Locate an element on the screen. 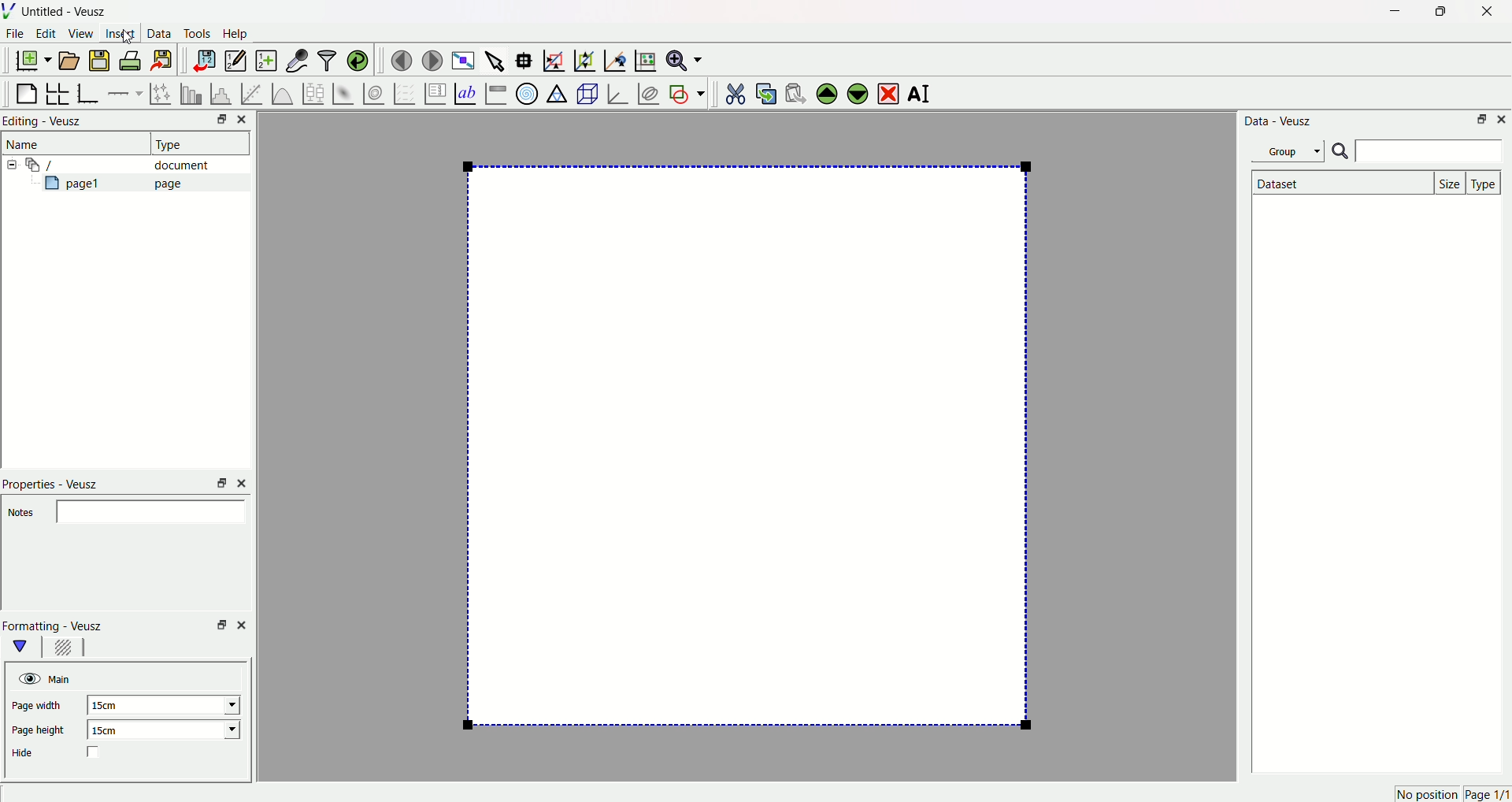  Page height is located at coordinates (41, 732).